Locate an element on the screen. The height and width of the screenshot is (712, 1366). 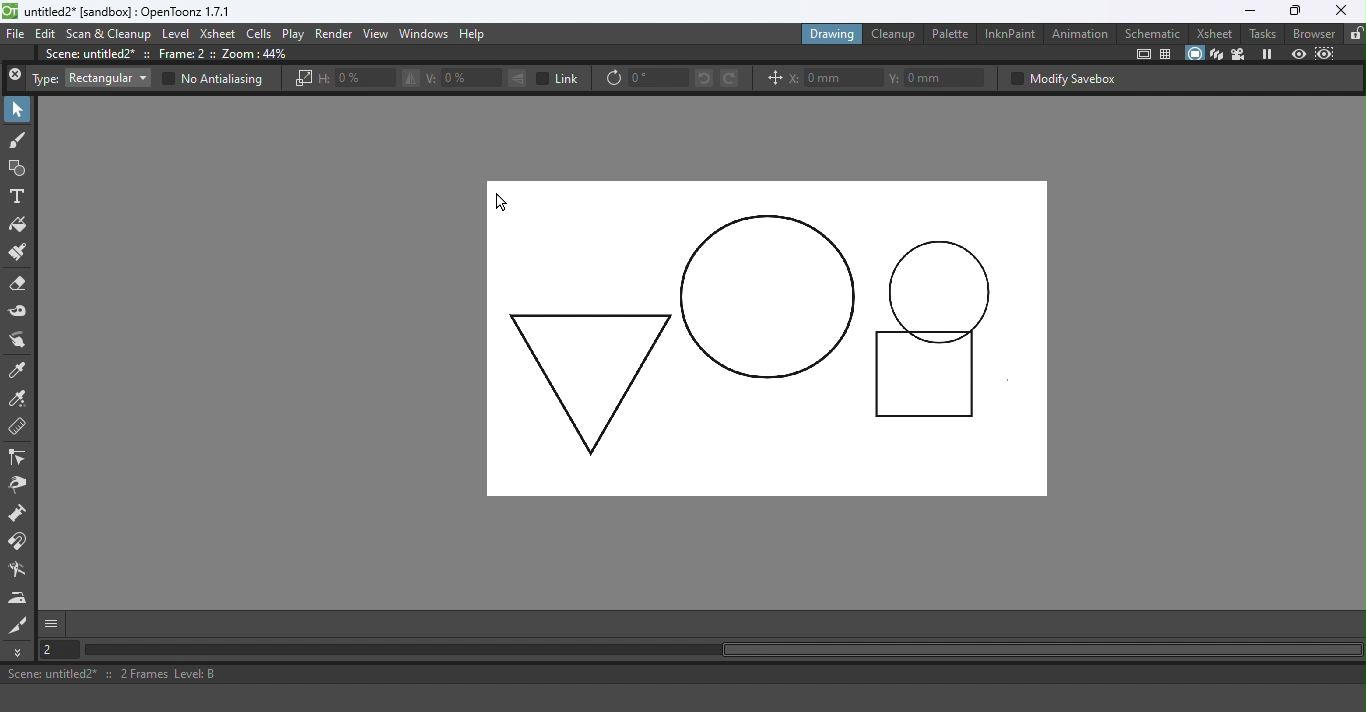
View is located at coordinates (376, 34).